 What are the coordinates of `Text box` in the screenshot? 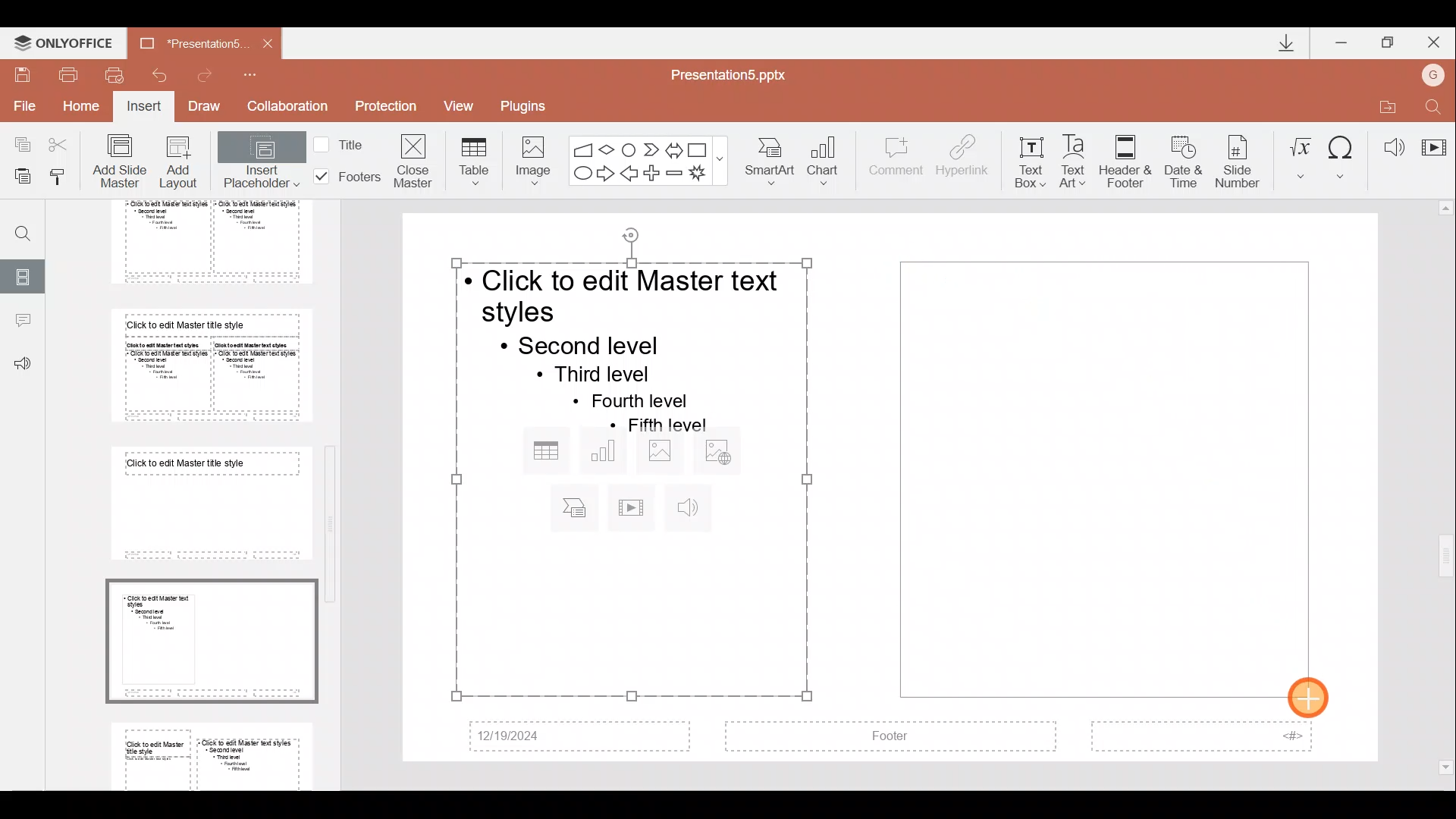 It's located at (1030, 158).